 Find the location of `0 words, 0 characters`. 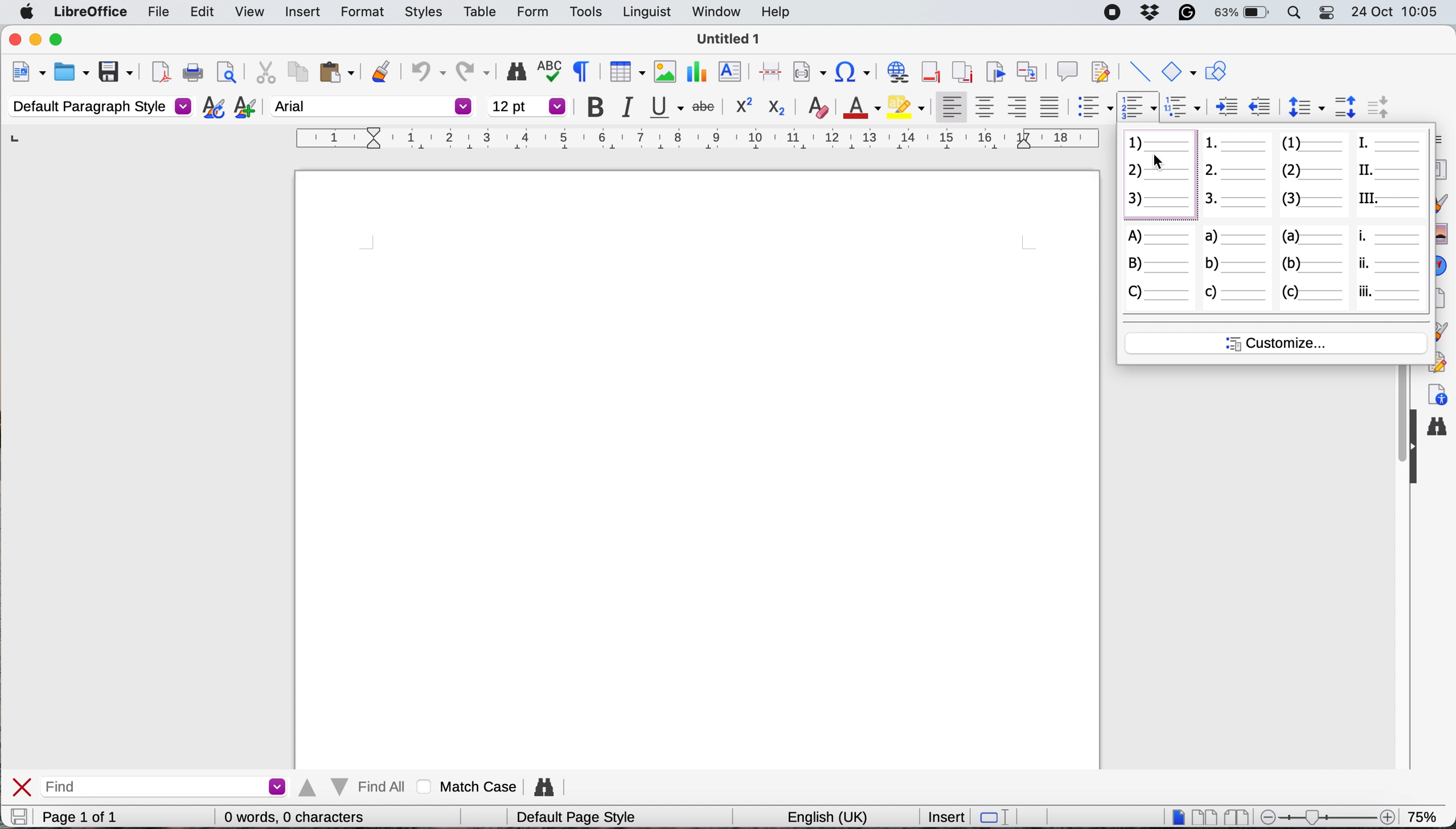

0 words, 0 characters is located at coordinates (297, 816).